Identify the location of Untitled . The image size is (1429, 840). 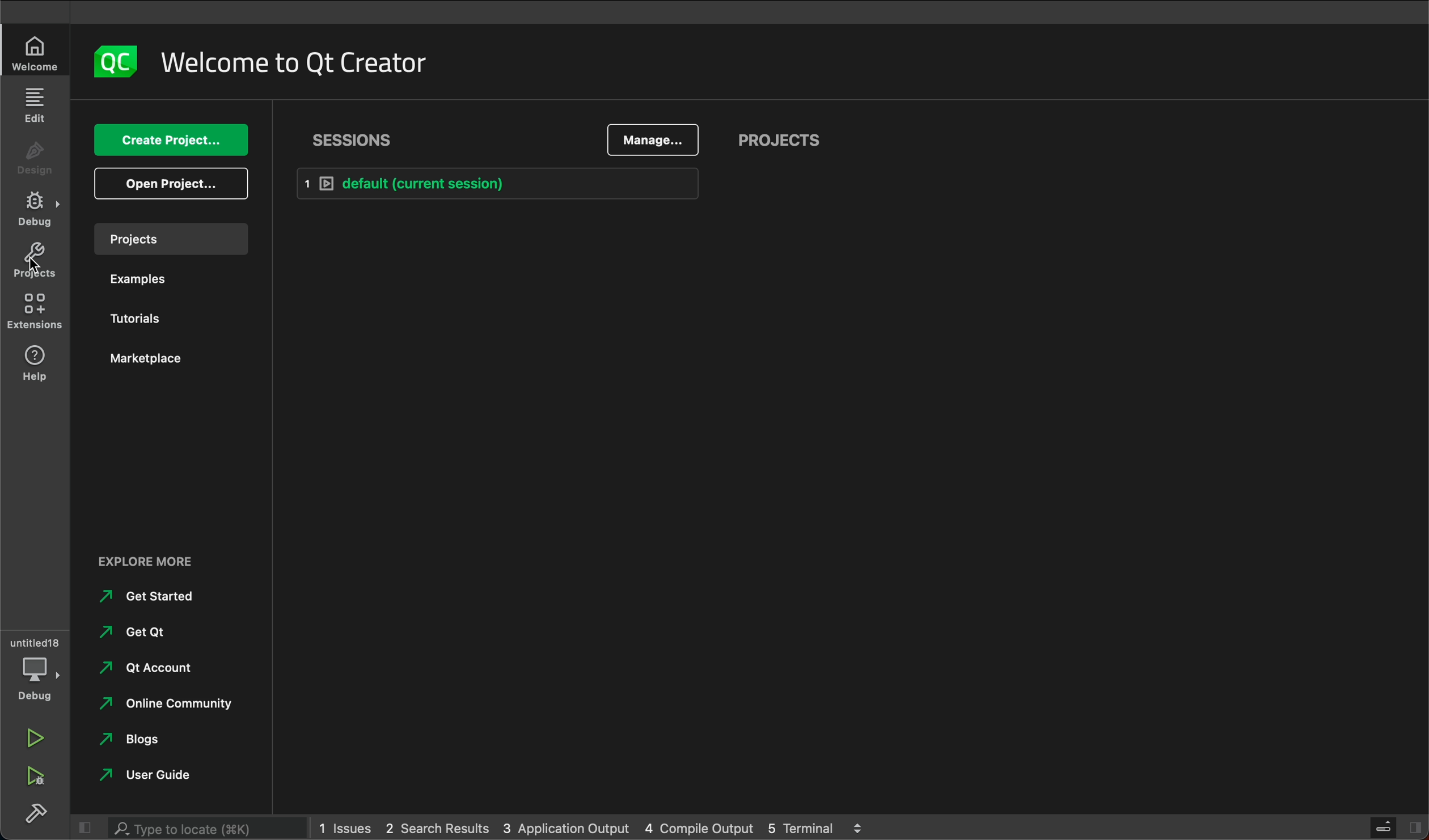
(33, 644).